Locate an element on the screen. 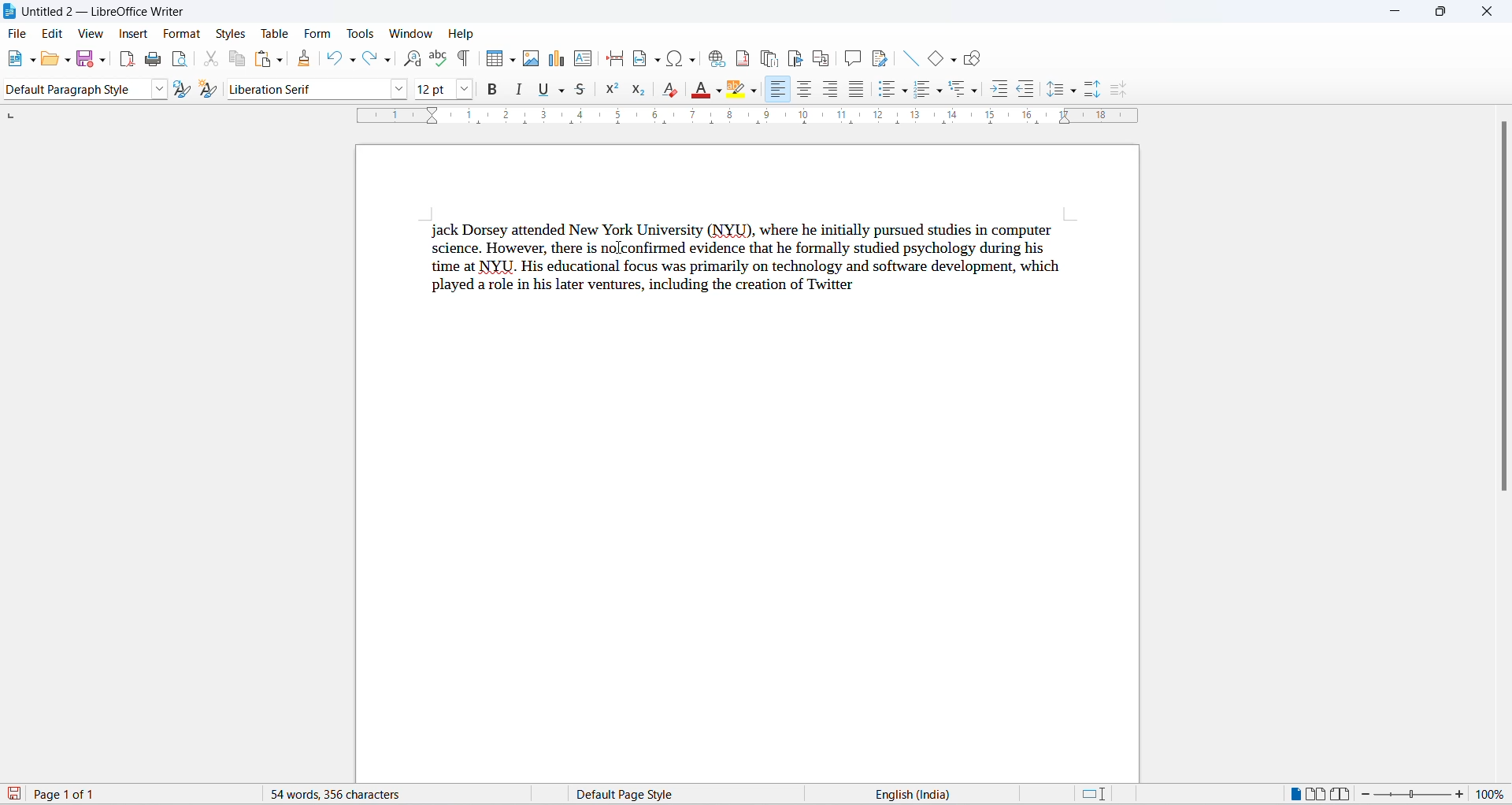  character highlighting color is located at coordinates (754, 92).